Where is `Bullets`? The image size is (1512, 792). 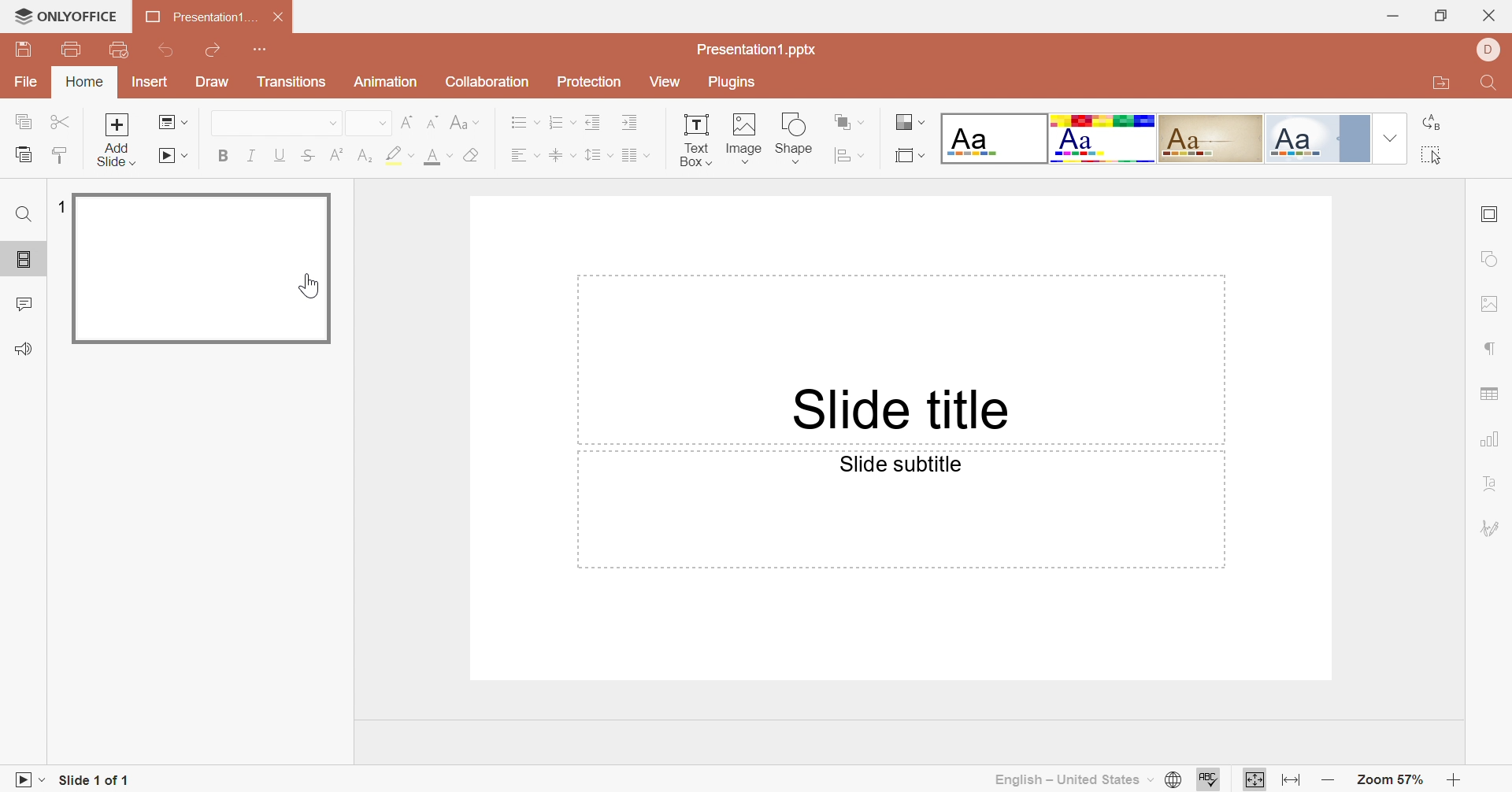
Bullets is located at coordinates (518, 123).